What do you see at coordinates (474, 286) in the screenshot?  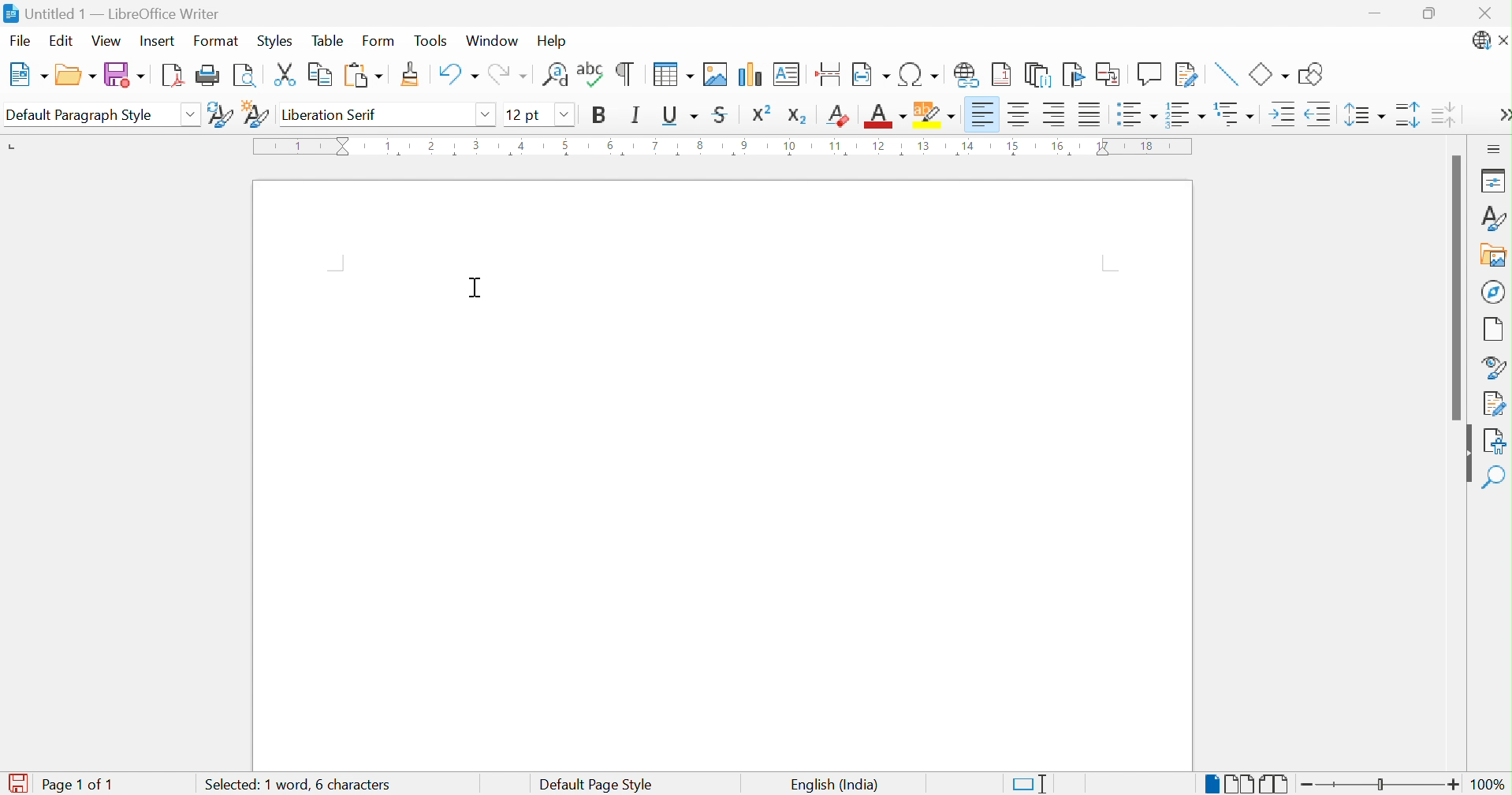 I see `Cursor` at bounding box center [474, 286].